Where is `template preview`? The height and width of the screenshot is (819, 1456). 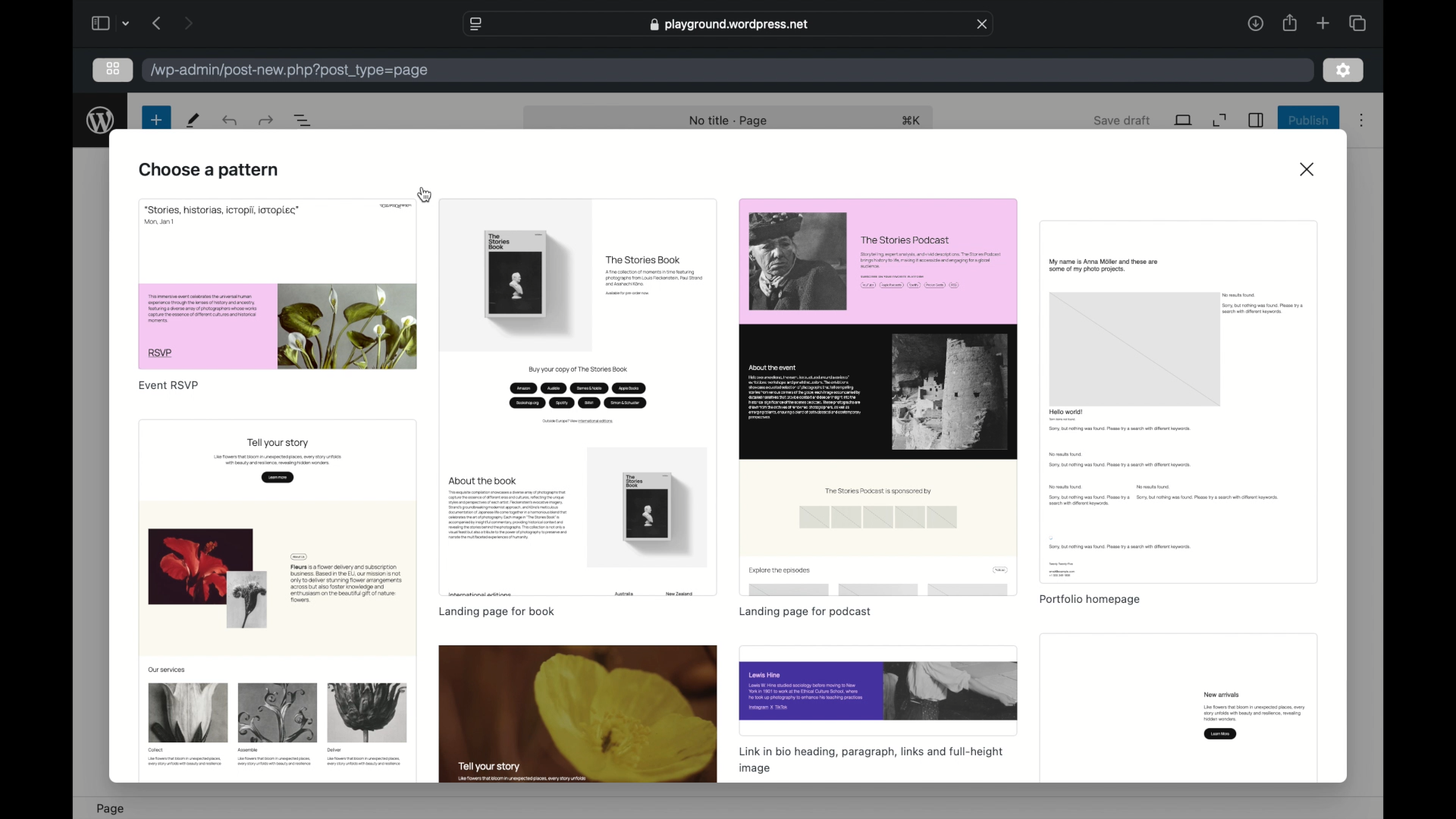
template preview is located at coordinates (279, 284).